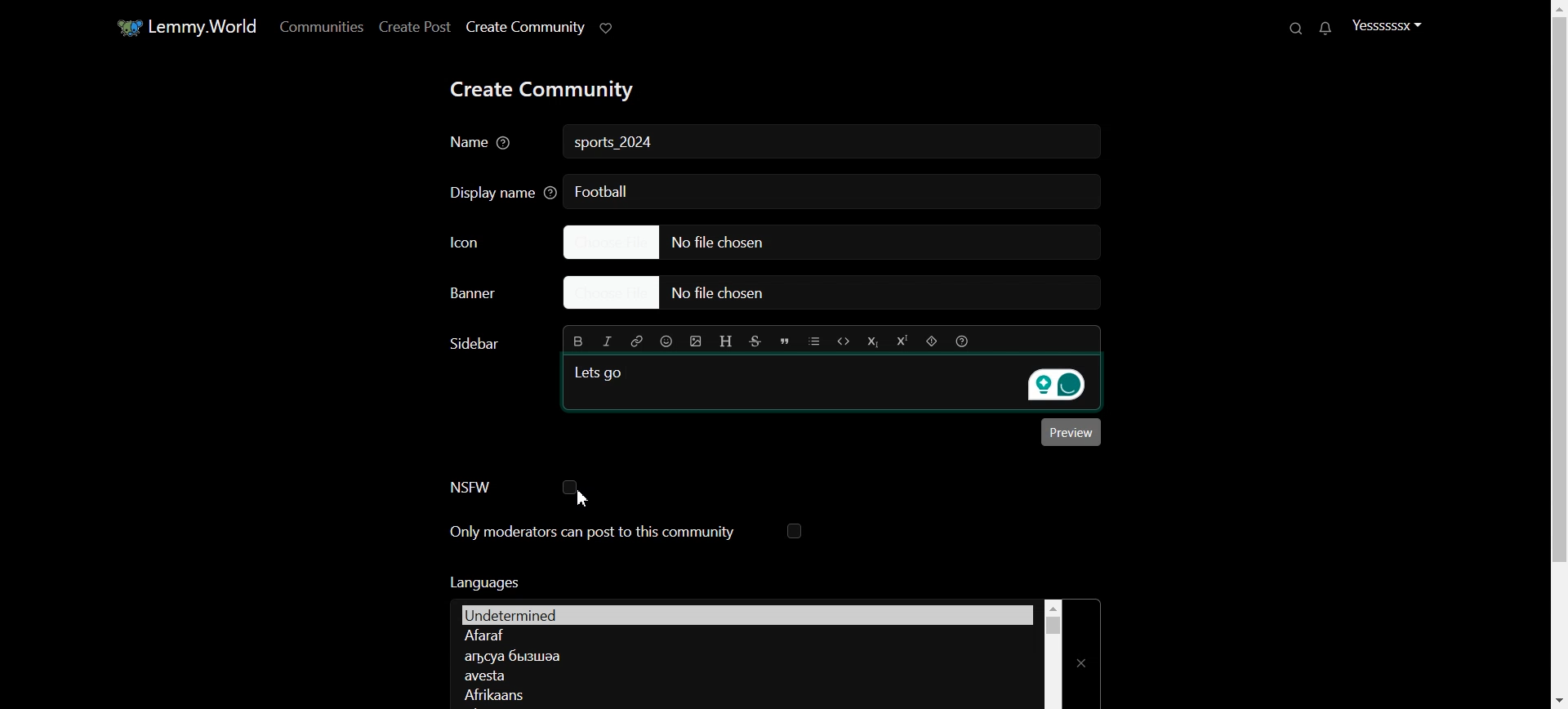  I want to click on Search, so click(1298, 28).